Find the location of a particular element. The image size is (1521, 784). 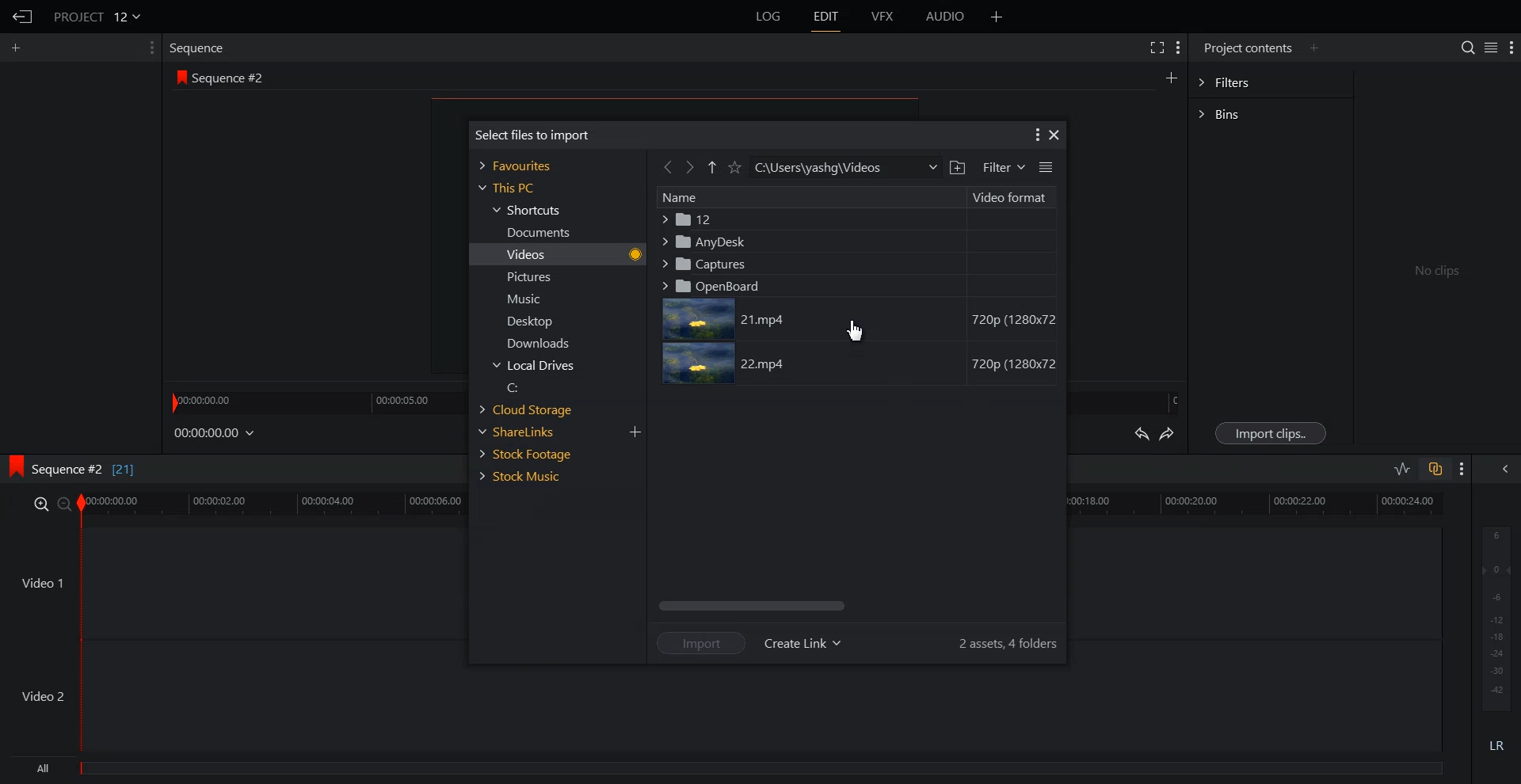

Video is located at coordinates (535, 253).